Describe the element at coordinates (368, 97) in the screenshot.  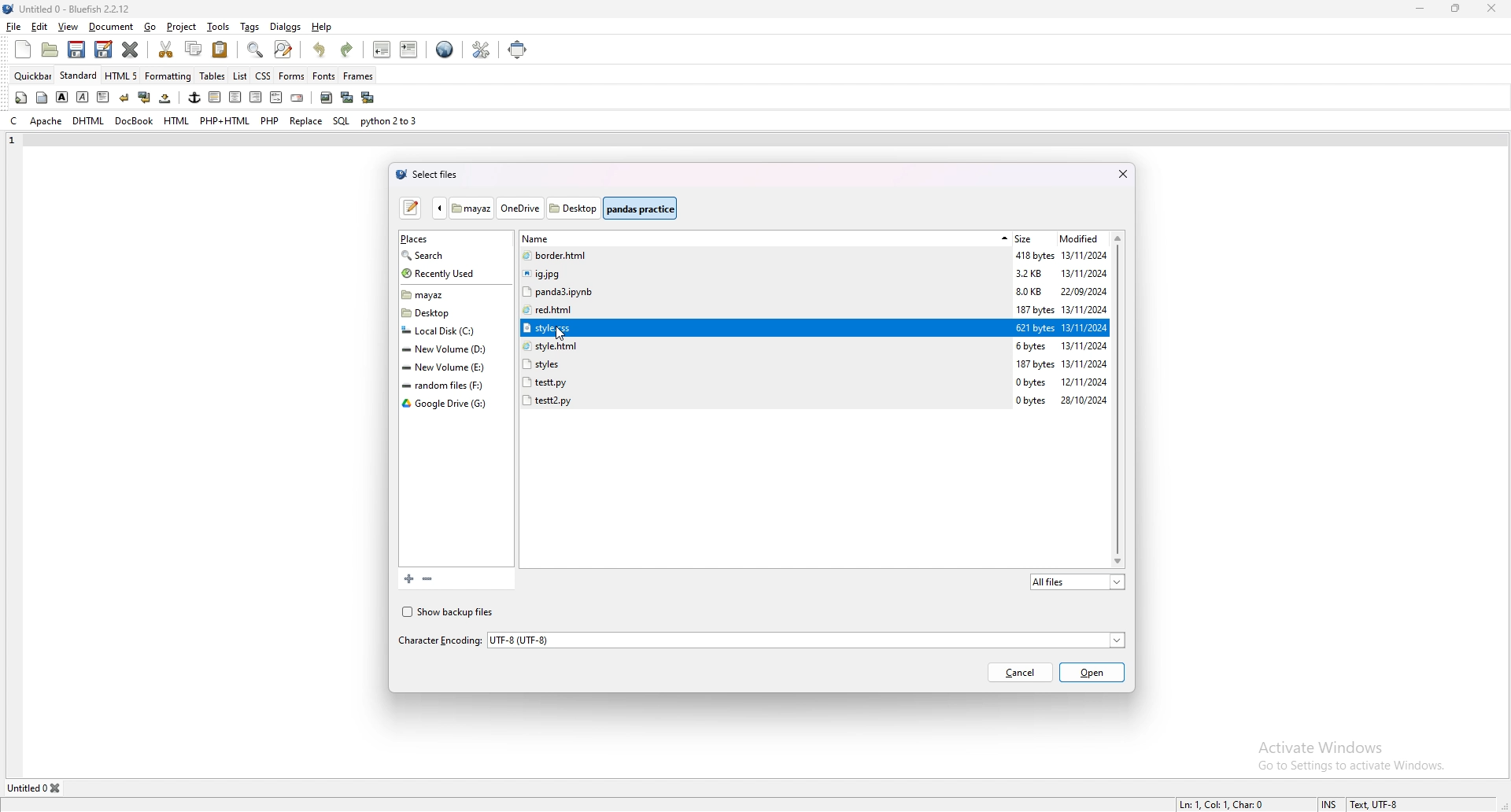
I see `multi thumbnail` at that location.